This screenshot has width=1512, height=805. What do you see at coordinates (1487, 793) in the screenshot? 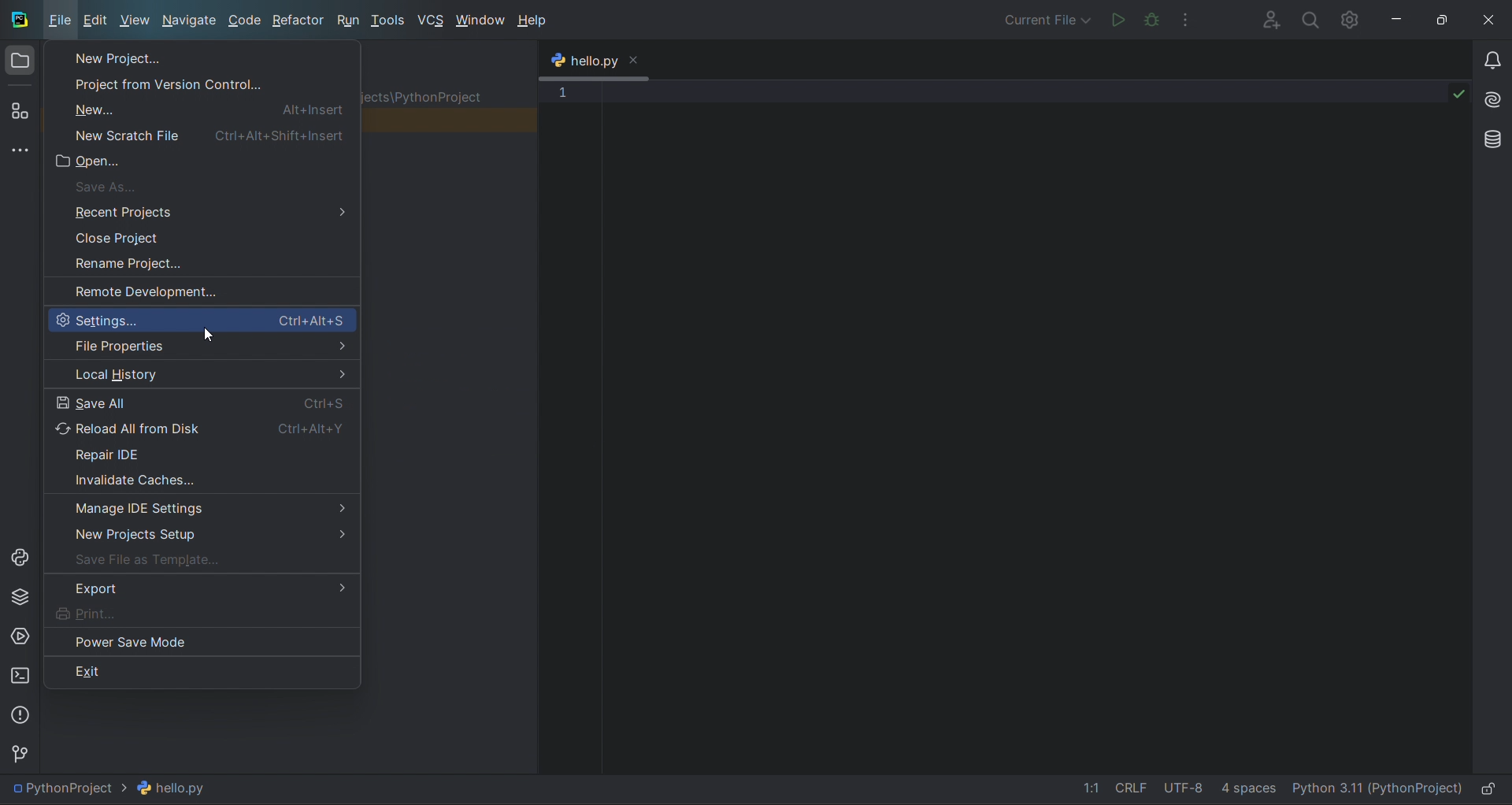
I see `lock` at bounding box center [1487, 793].